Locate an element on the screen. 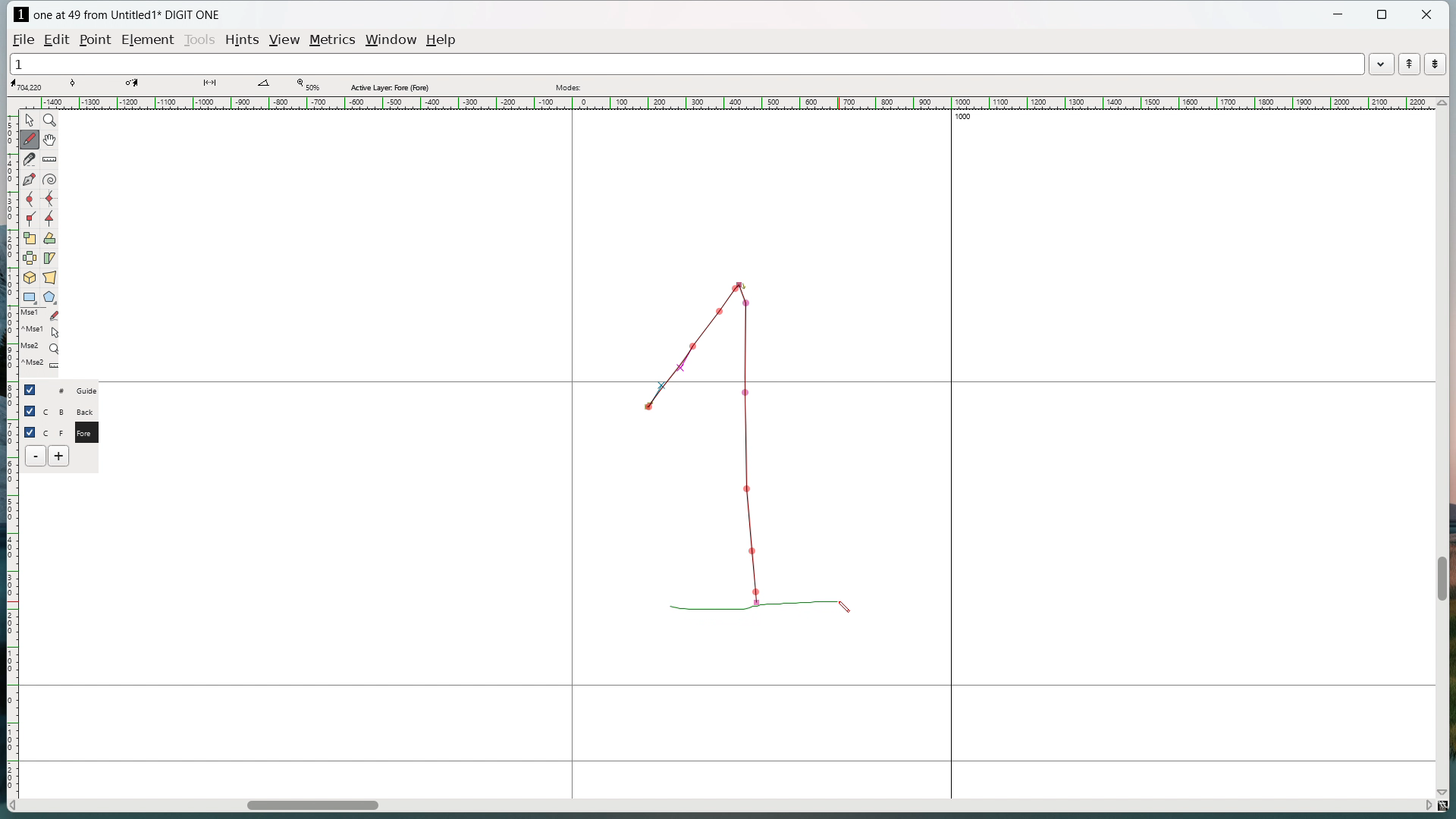 The image size is (1456, 819). pointer is located at coordinates (30, 120).